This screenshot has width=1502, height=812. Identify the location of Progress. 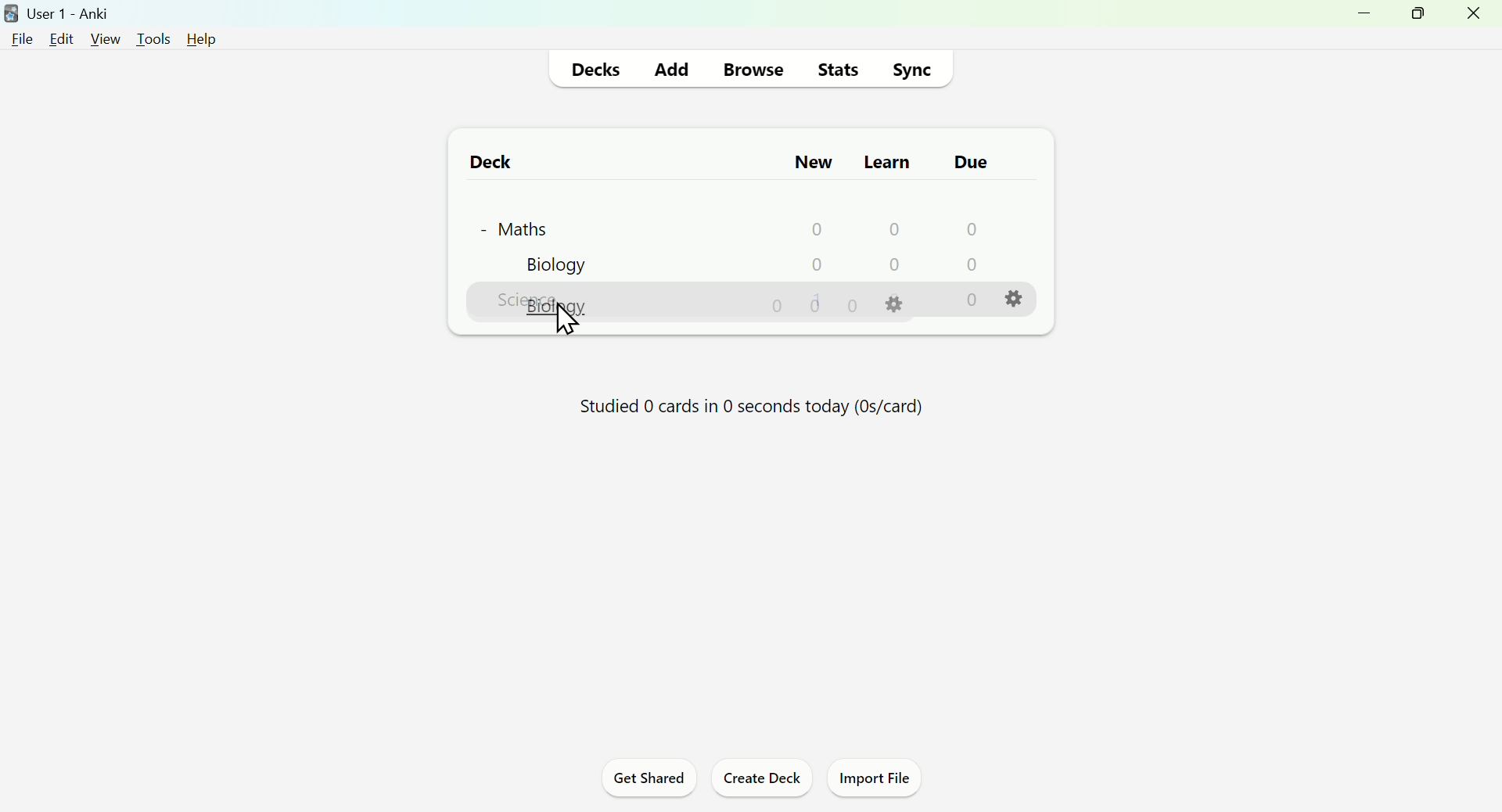
(742, 411).